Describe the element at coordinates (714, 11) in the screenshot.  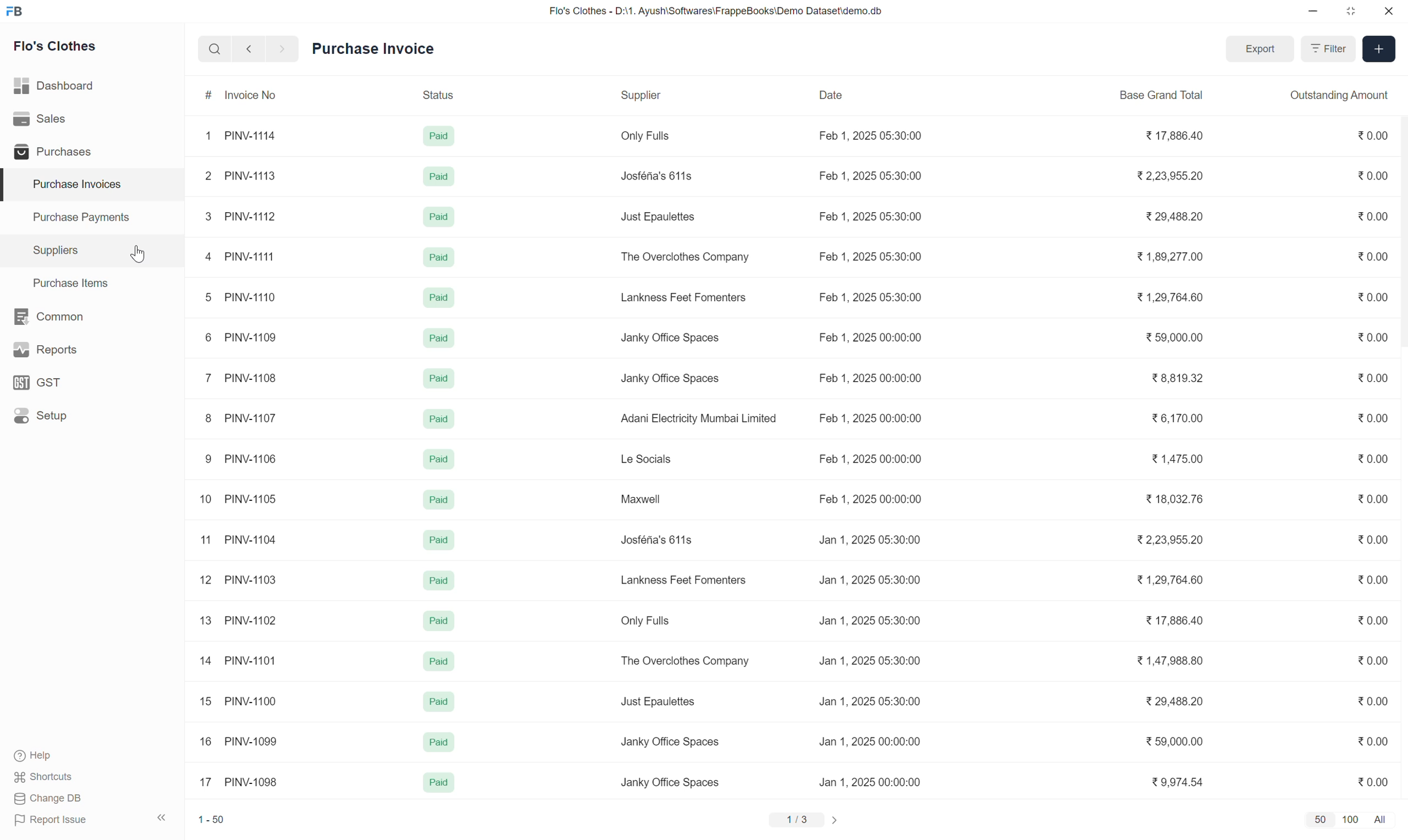
I see `Flo's Clothes - D:\1. Ayush\Softwares\FrappeBooks\Demo Dataset\demo.db` at that location.